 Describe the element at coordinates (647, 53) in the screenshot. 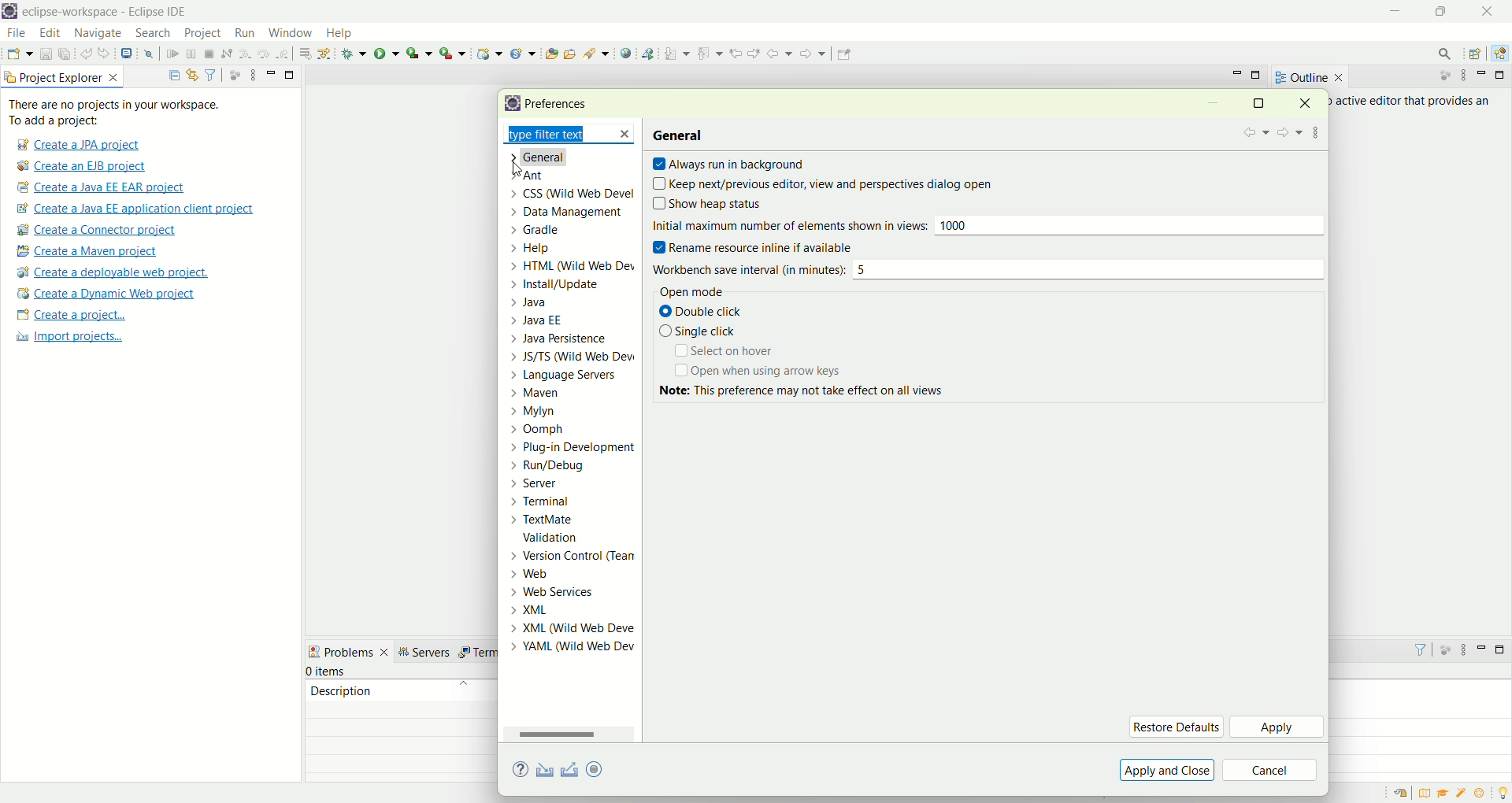

I see `web service explorer` at that location.